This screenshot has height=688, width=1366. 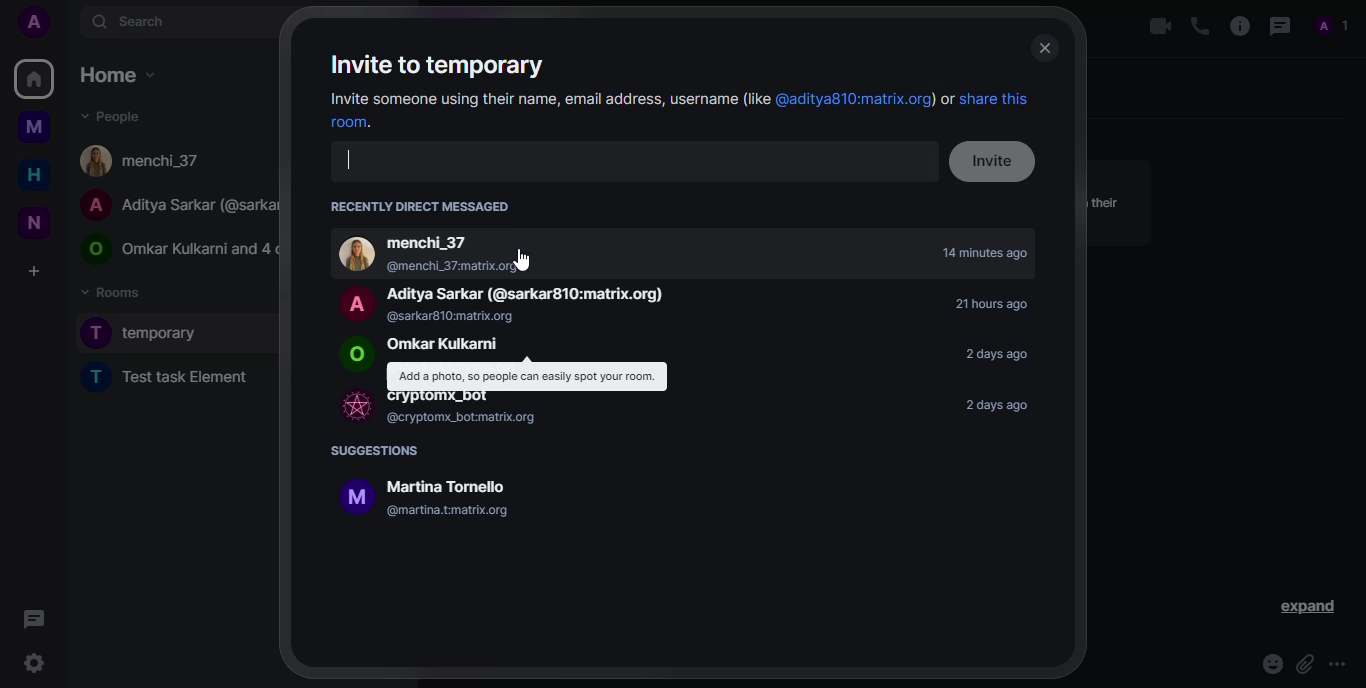 I want to click on ‘Omkar Kulkarni, so click(x=444, y=345).